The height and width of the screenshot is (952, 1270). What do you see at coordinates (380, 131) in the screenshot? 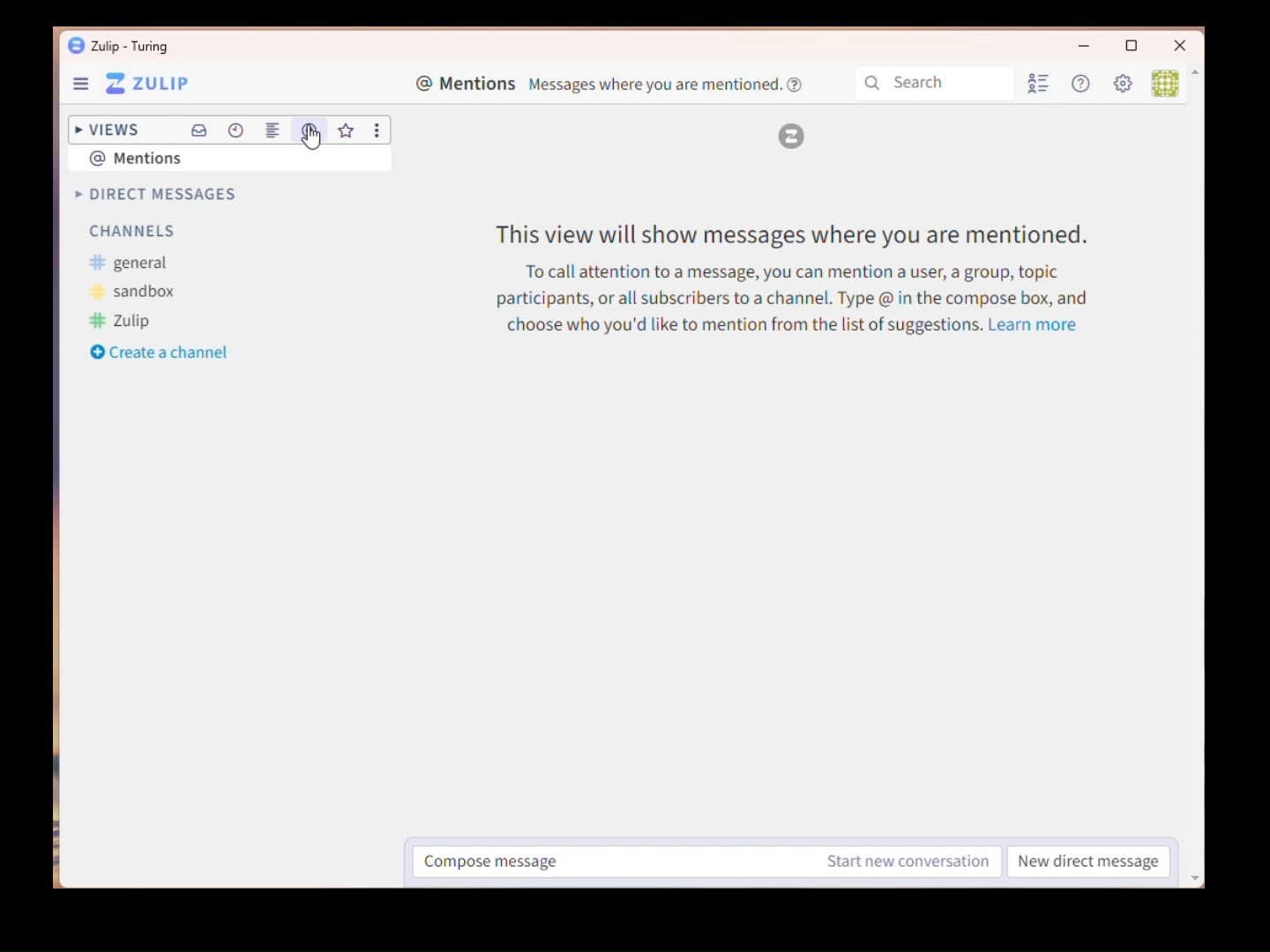
I see `More` at bounding box center [380, 131].